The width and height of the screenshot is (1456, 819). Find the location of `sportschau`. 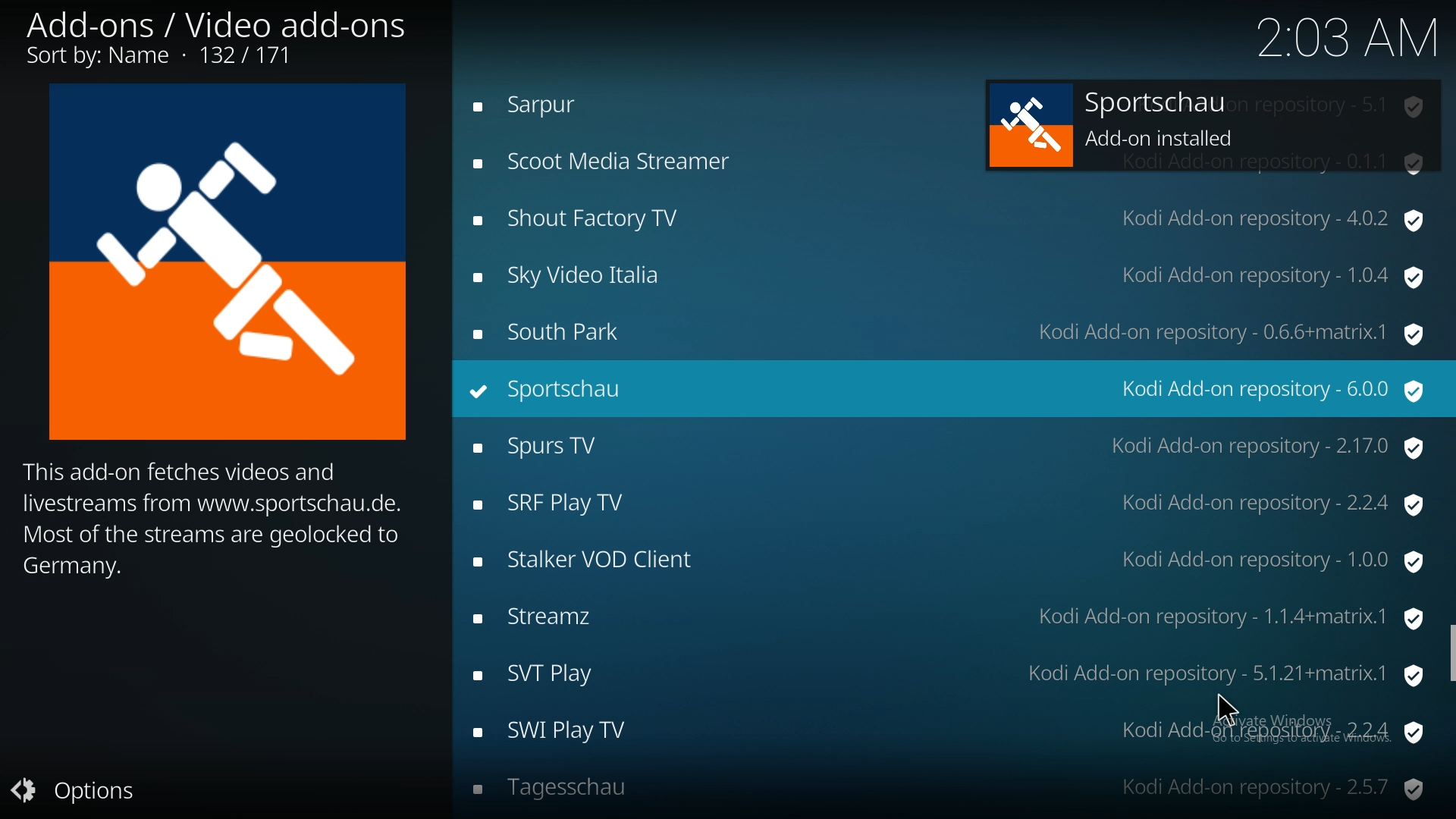

sportschau is located at coordinates (944, 390).